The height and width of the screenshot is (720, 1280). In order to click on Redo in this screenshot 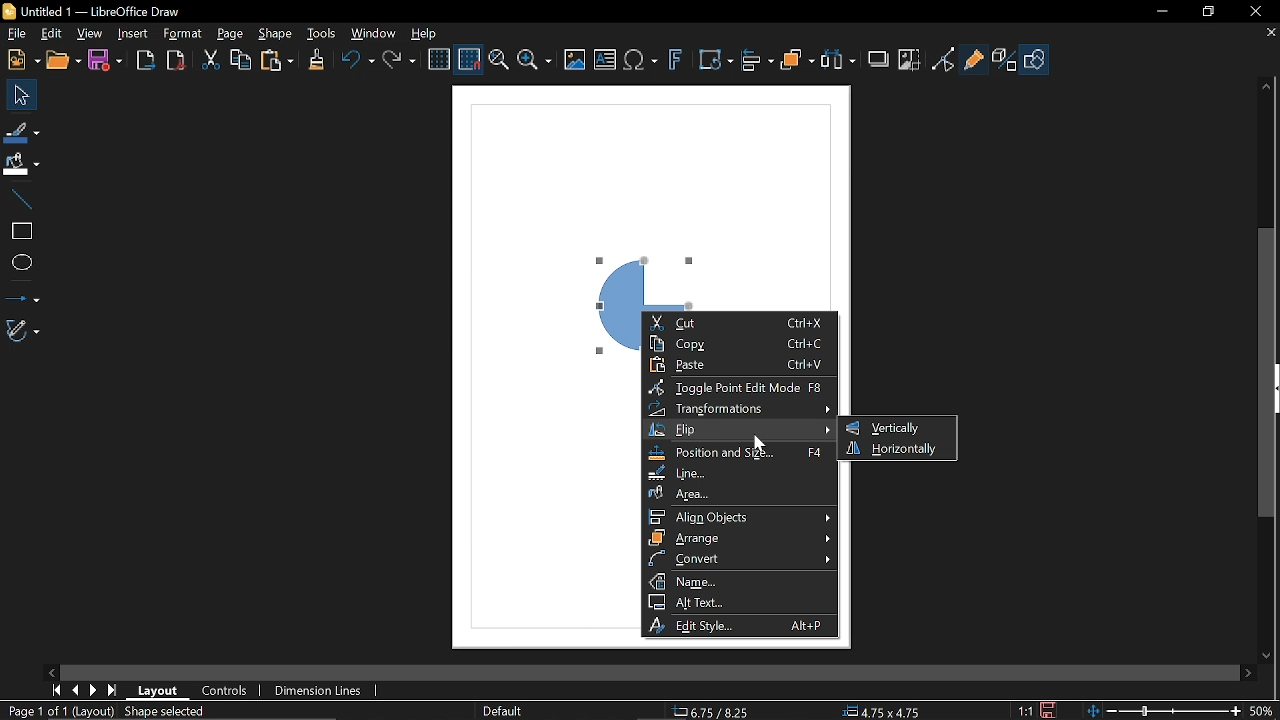, I will do `click(402, 61)`.